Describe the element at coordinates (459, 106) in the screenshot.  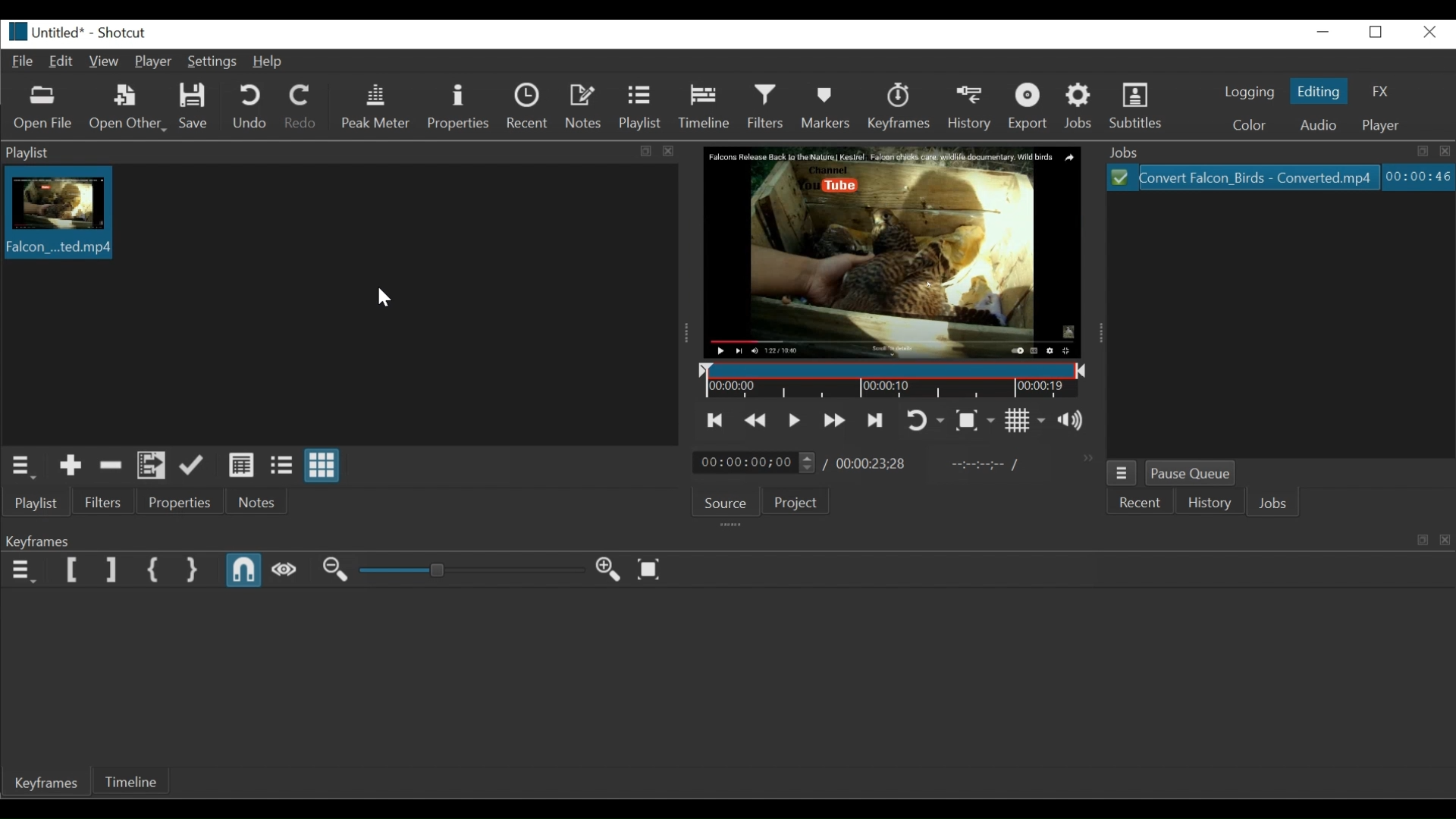
I see `Properties` at that location.